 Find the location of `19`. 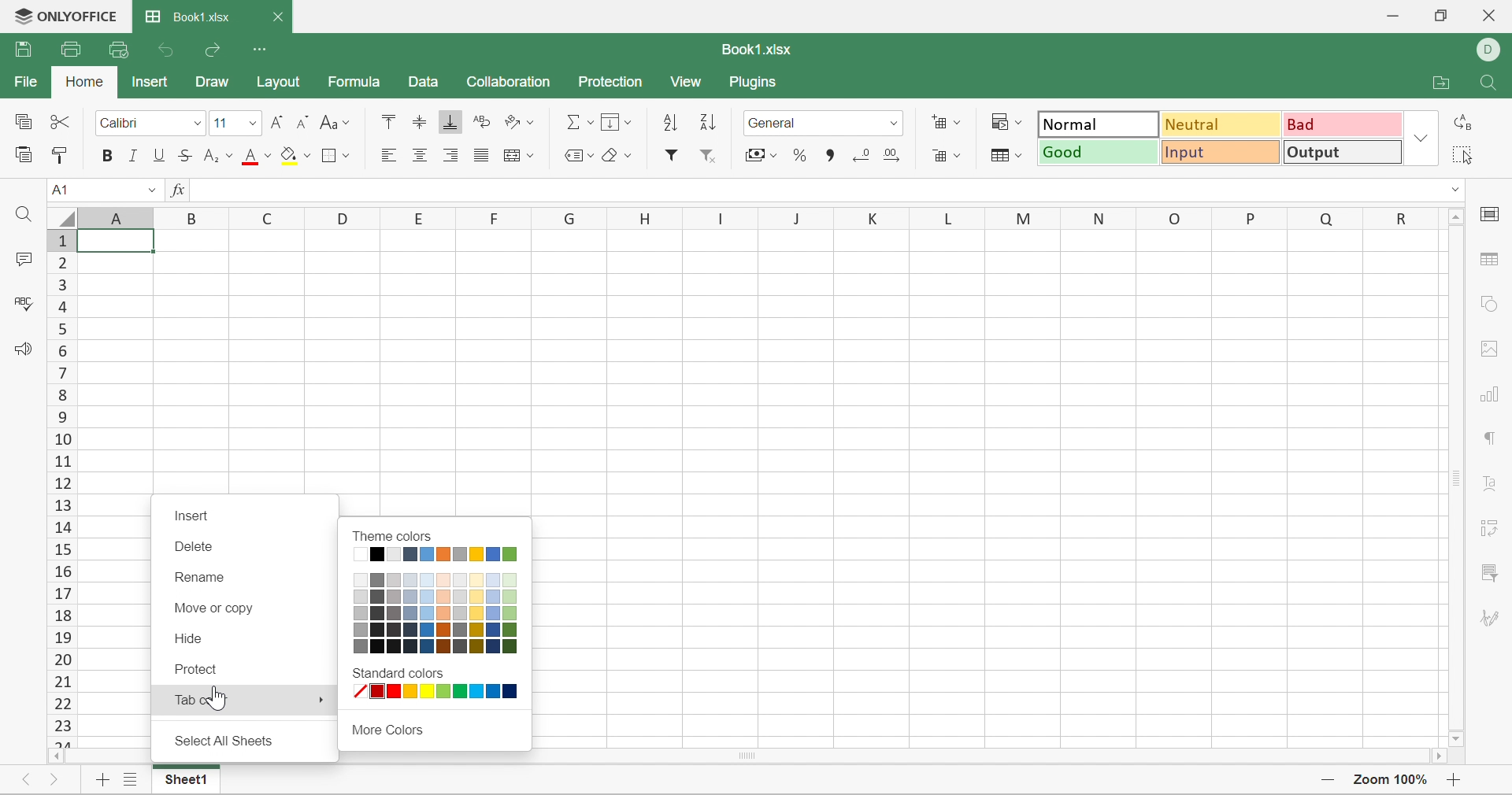

19 is located at coordinates (62, 635).